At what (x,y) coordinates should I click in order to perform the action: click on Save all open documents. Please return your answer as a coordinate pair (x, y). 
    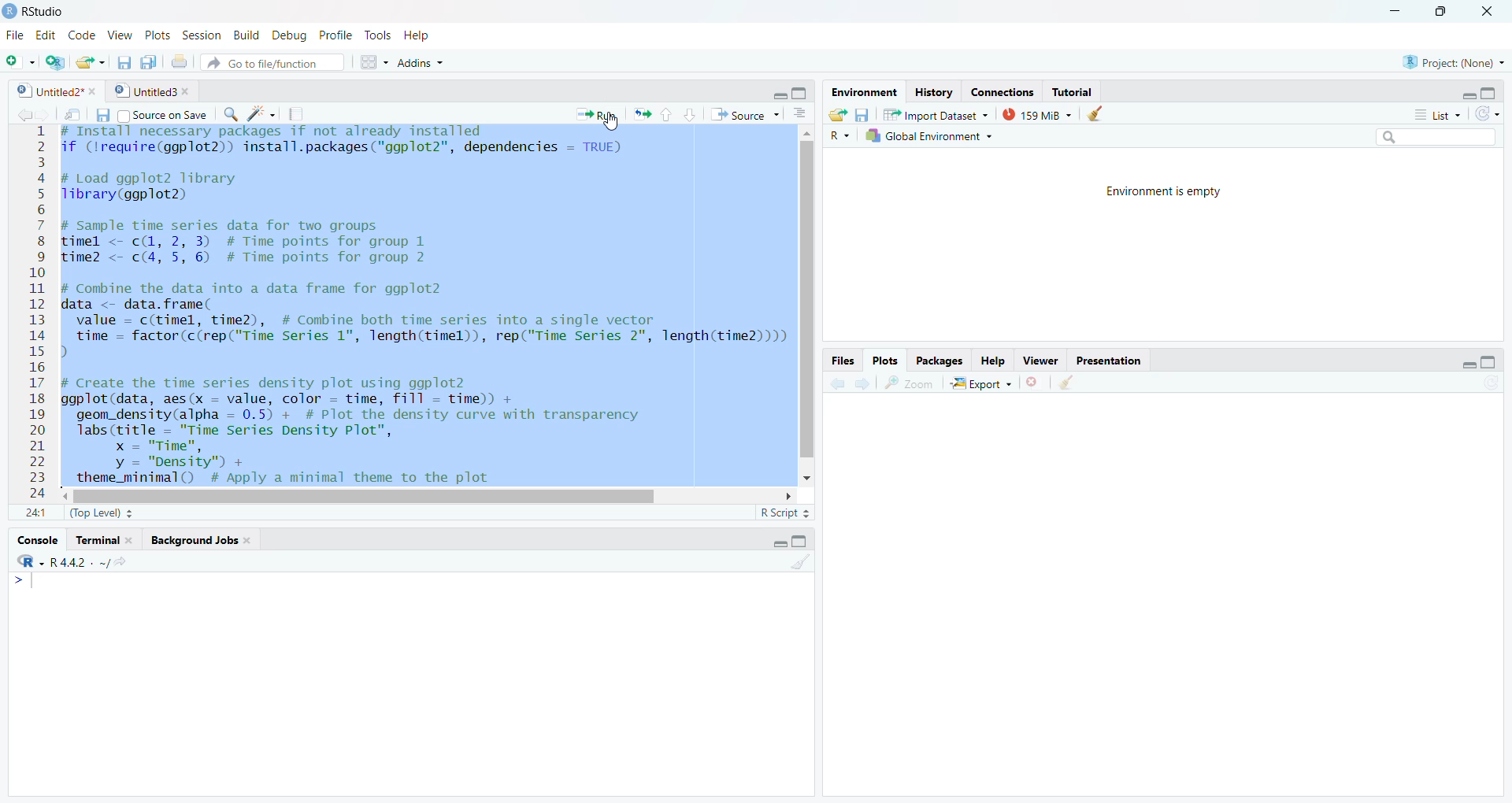
    Looking at the image, I should click on (148, 63).